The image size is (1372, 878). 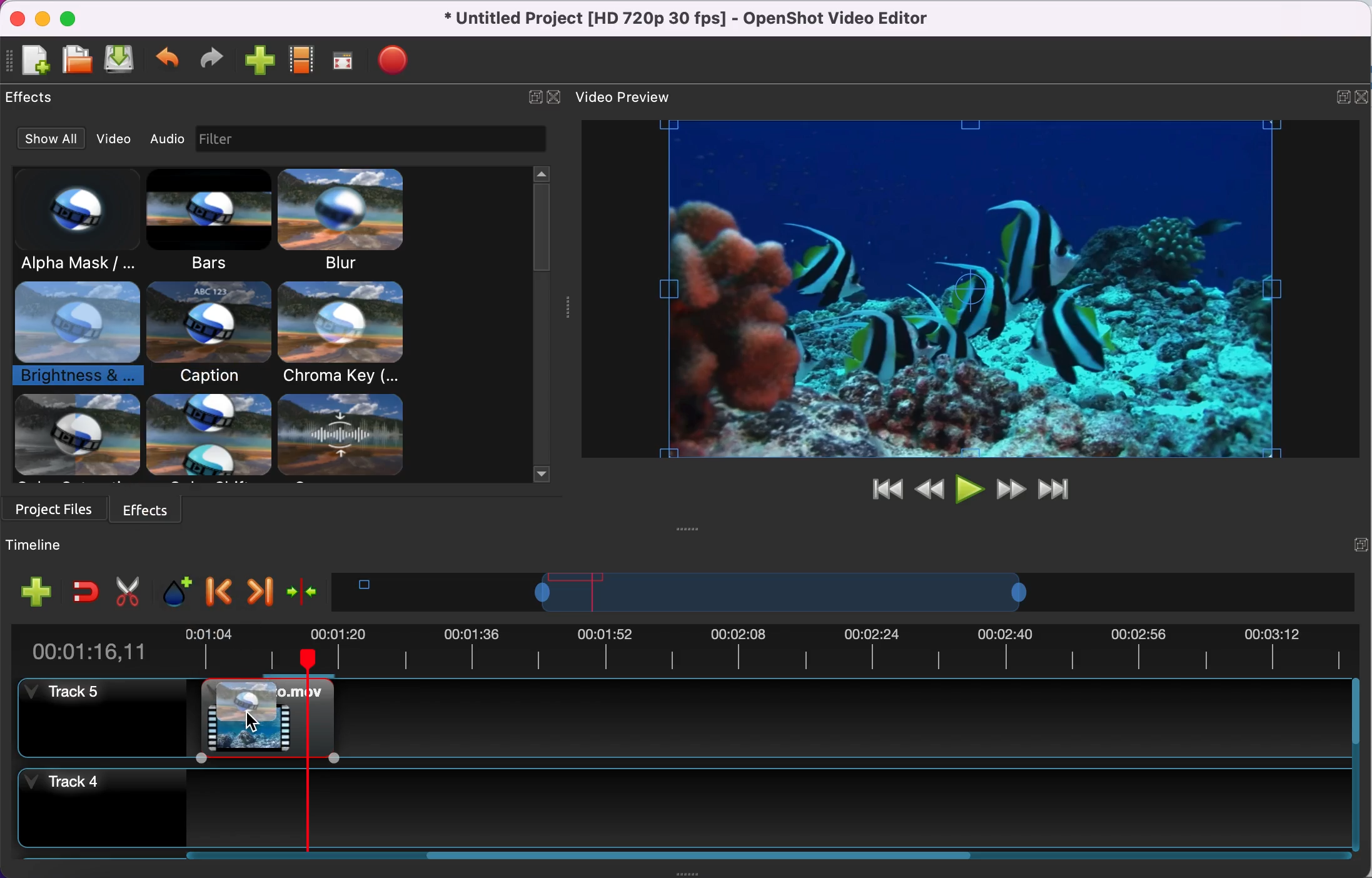 What do you see at coordinates (1340, 96) in the screenshot?
I see `expand/hide` at bounding box center [1340, 96].